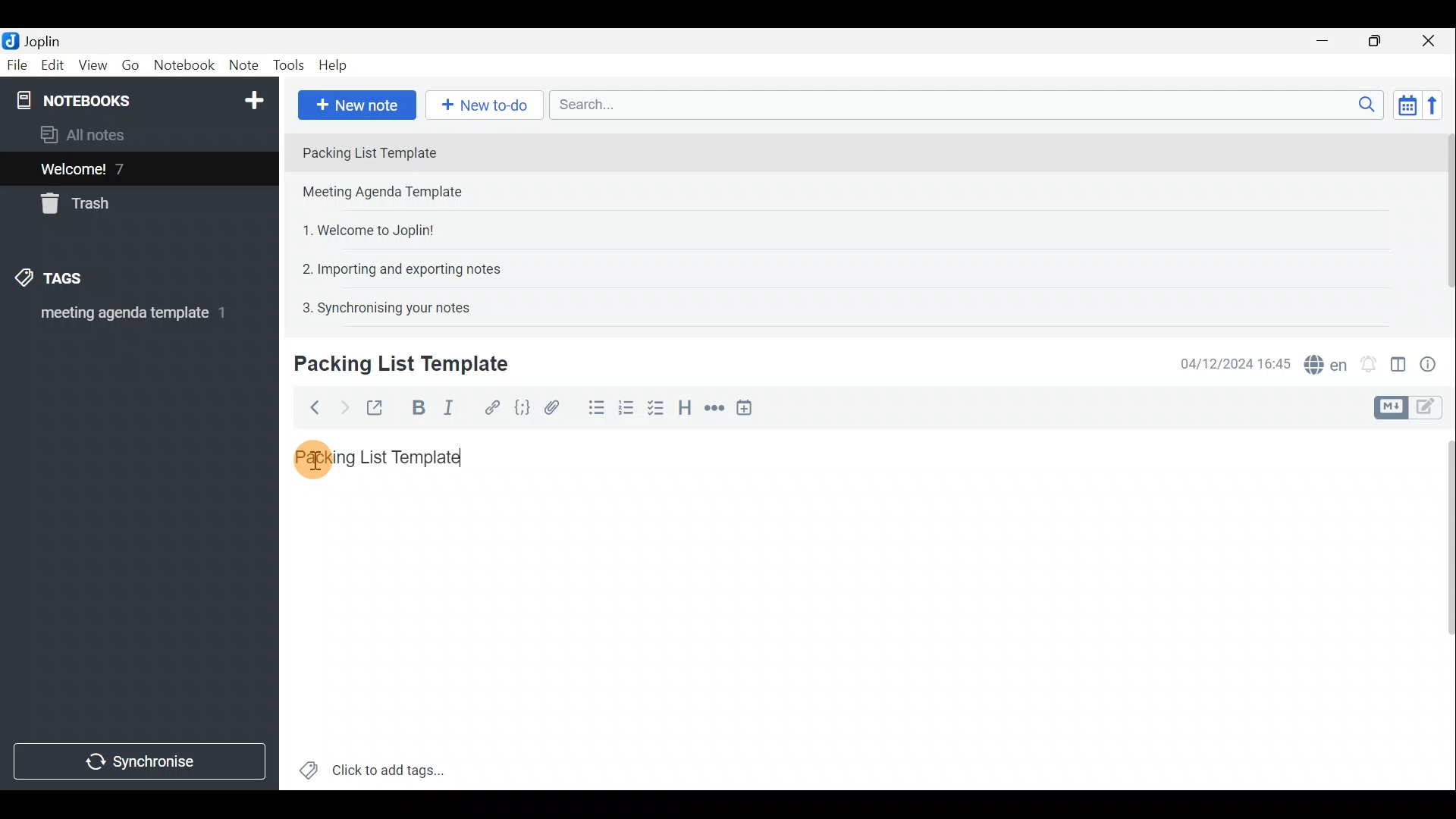  I want to click on Heading, so click(686, 406).